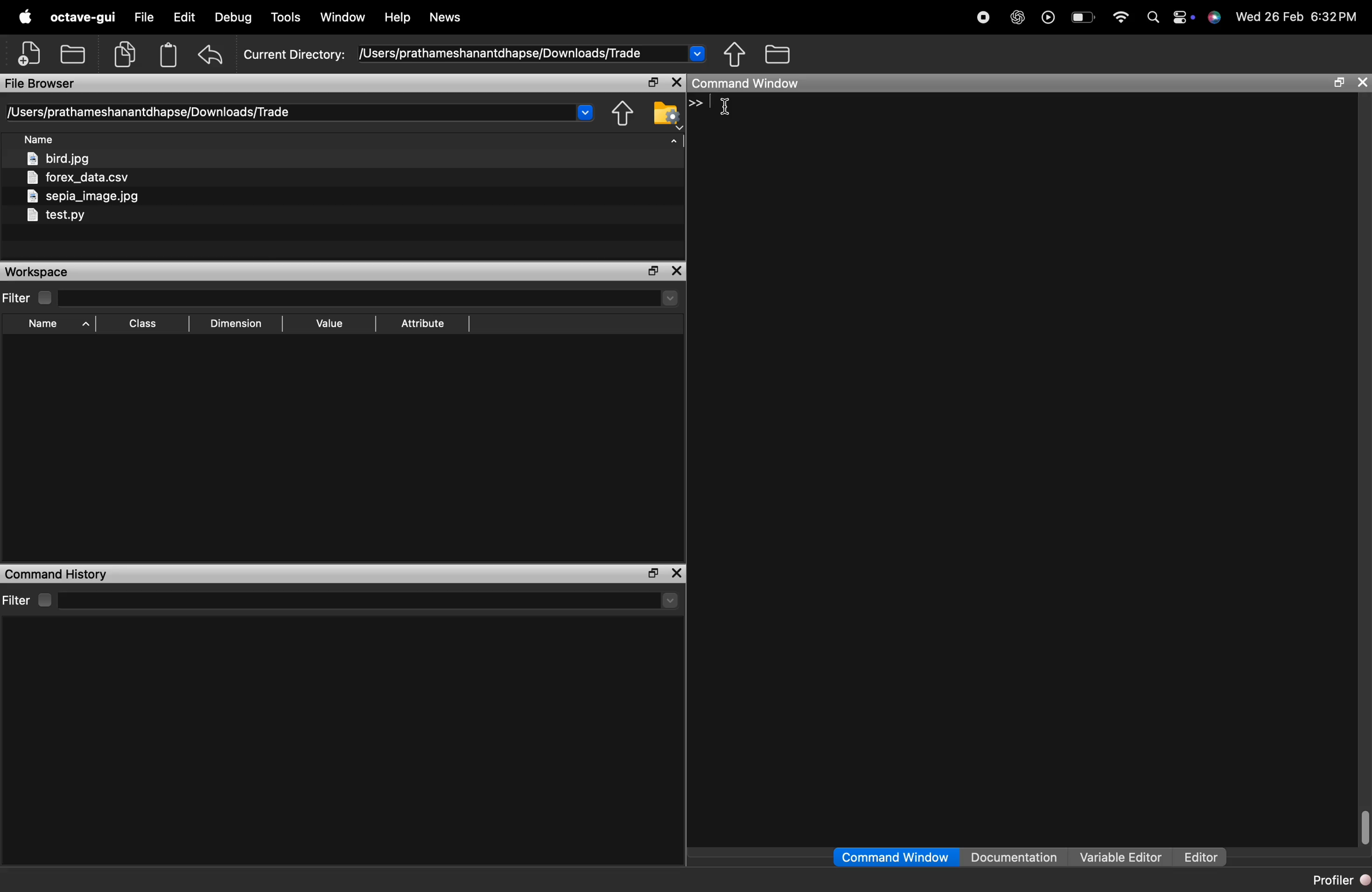 This screenshot has height=892, width=1372. What do you see at coordinates (74, 52) in the screenshot?
I see `open an existing file in editor` at bounding box center [74, 52].